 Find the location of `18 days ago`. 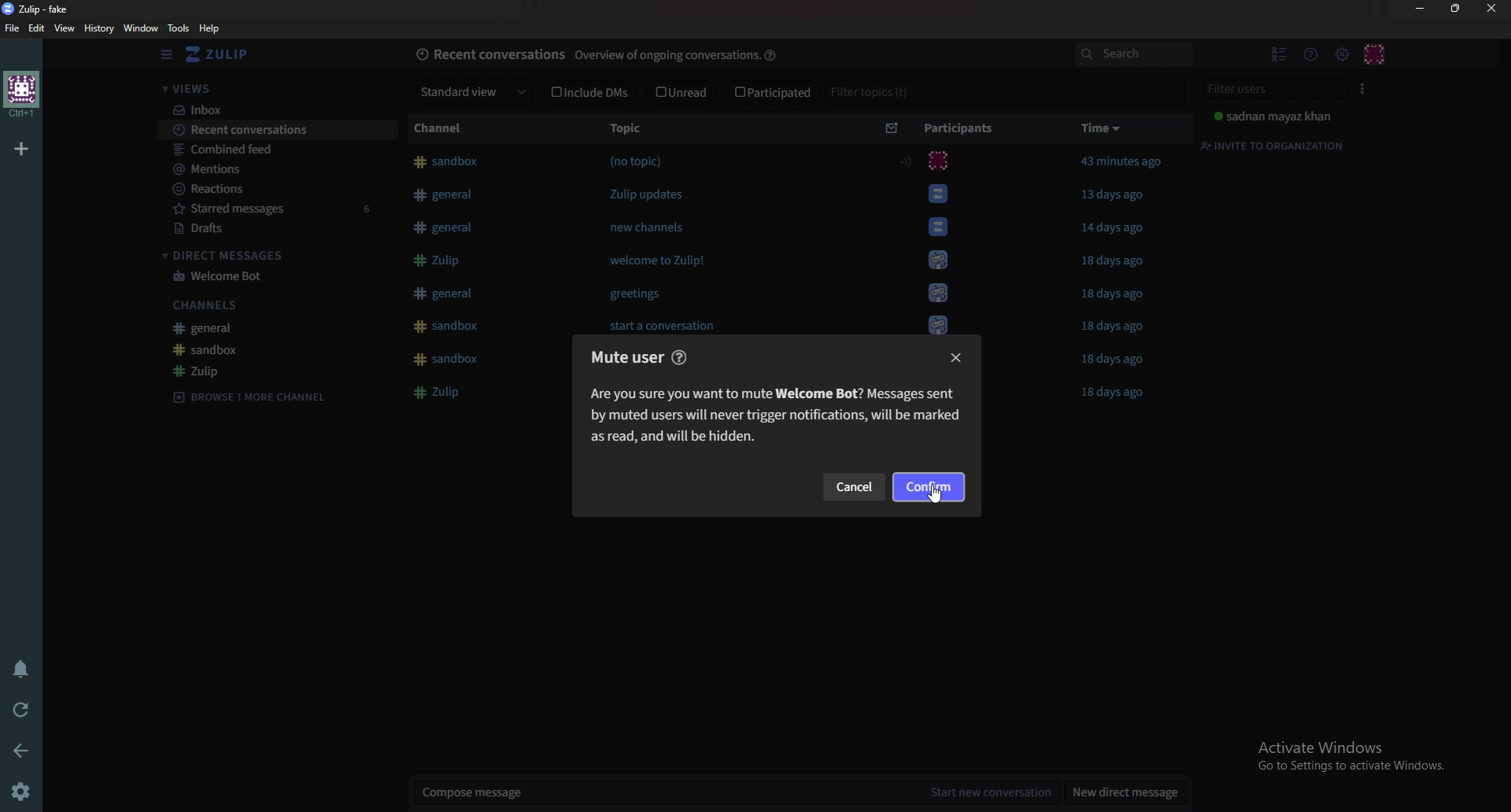

18 days ago is located at coordinates (1118, 360).